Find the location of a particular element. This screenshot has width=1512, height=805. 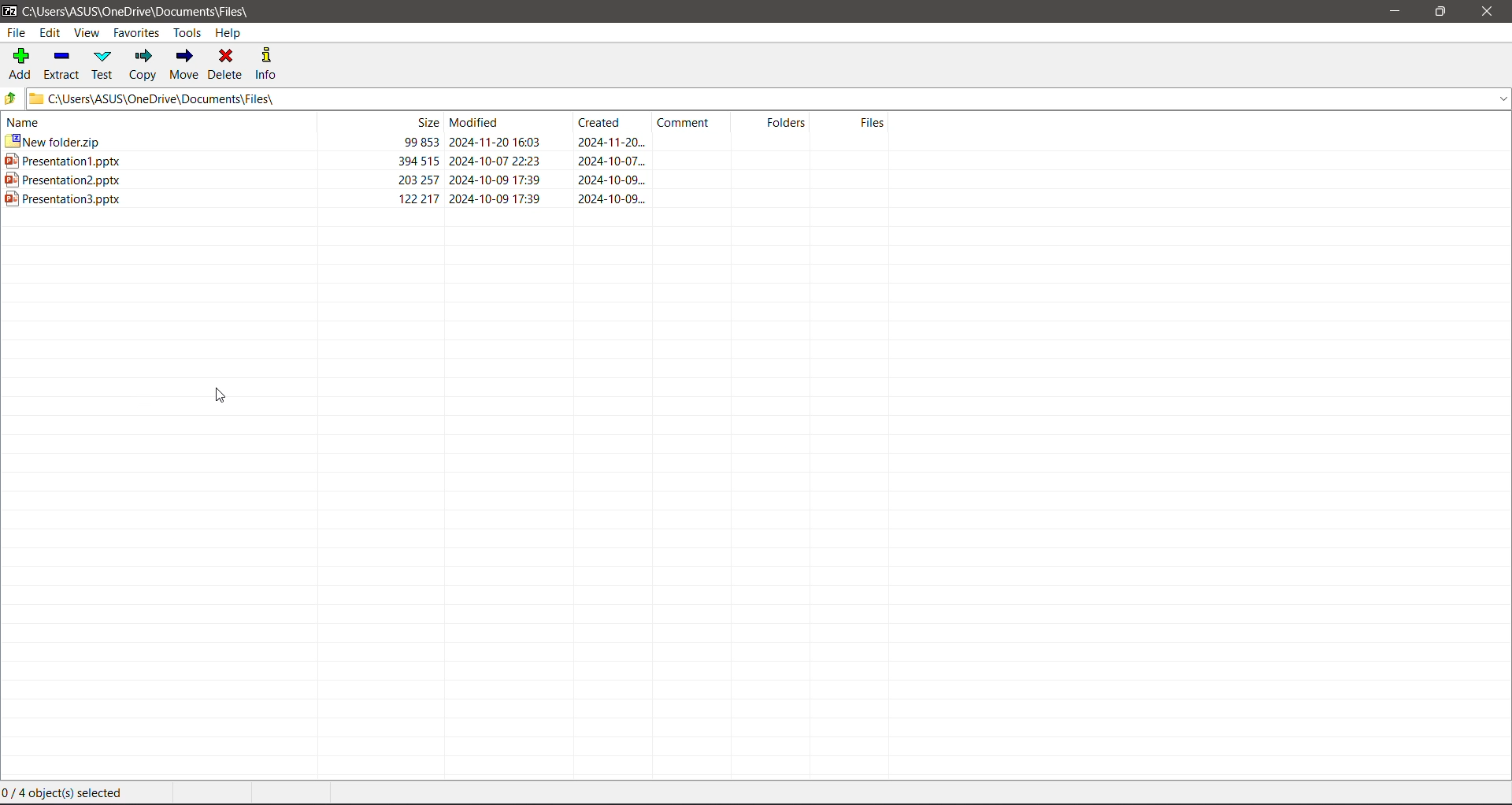

modified is located at coordinates (507, 121).